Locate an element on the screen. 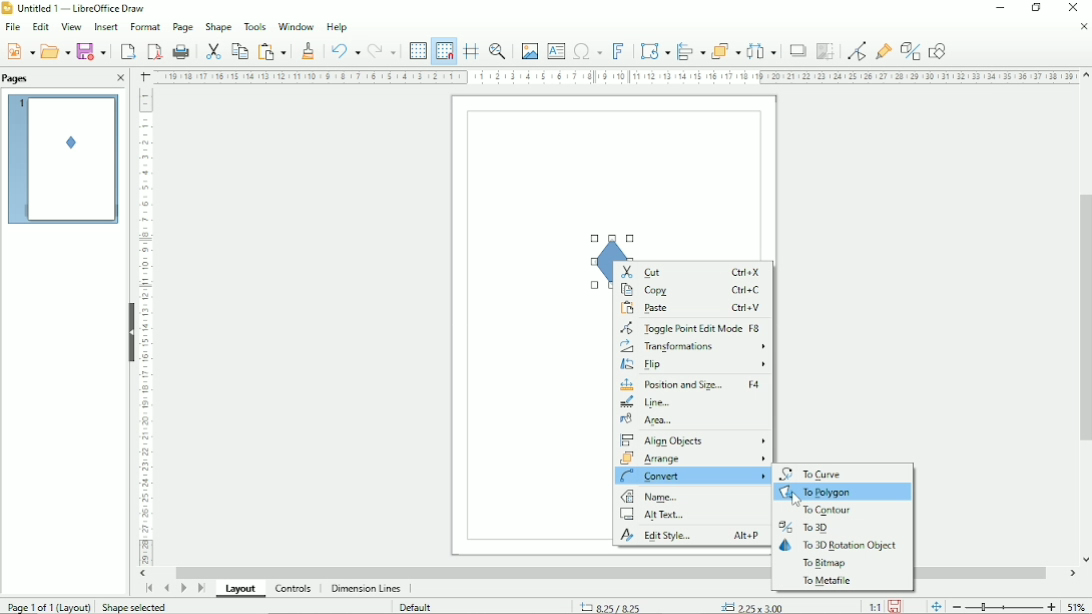  Cursor is located at coordinates (796, 499).